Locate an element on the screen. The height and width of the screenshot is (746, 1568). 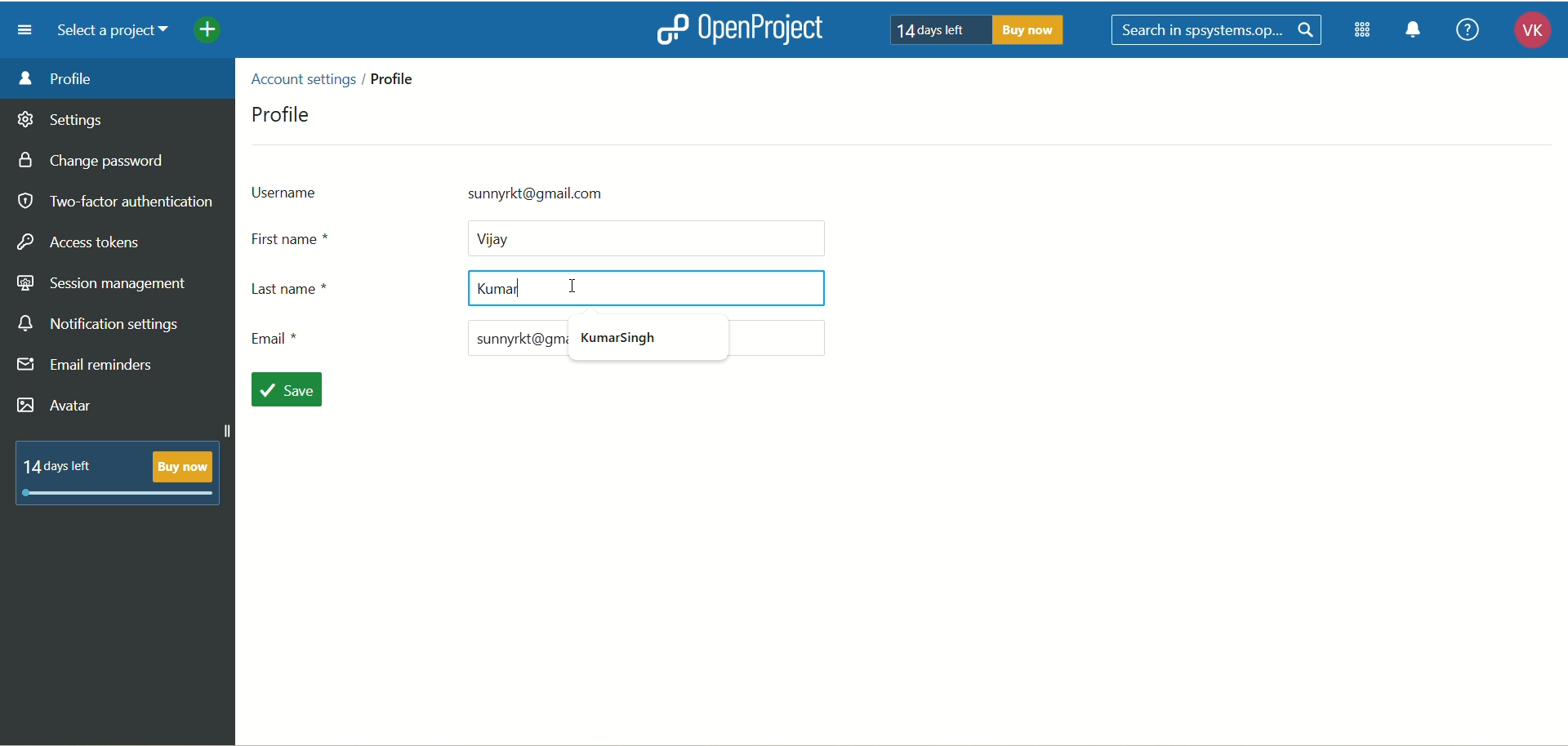
cursor is located at coordinates (577, 285).